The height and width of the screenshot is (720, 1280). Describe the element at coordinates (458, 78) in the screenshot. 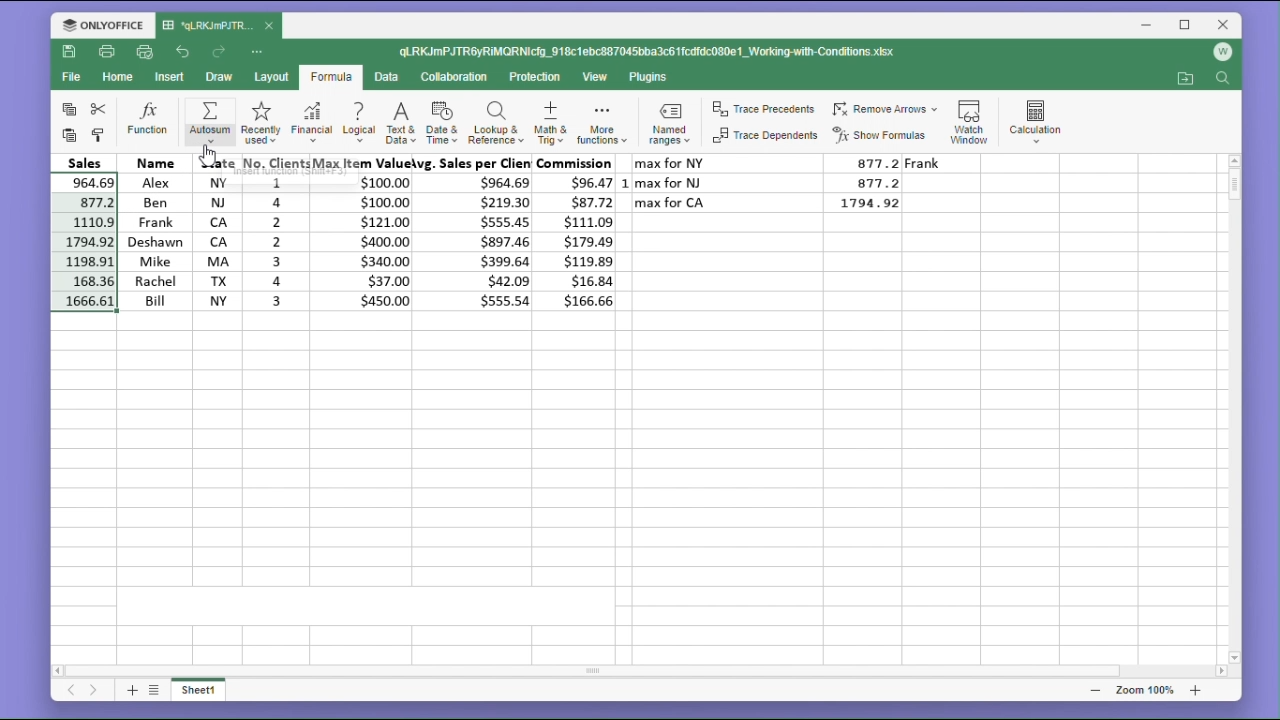

I see `collaboration` at that location.